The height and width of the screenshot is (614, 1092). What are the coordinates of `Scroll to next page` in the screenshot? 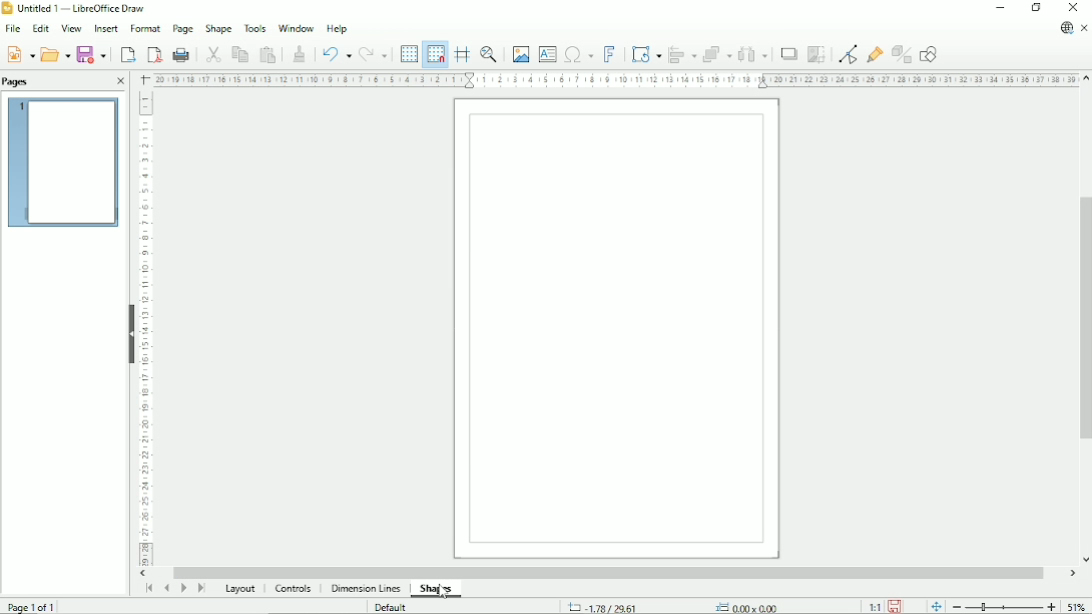 It's located at (183, 589).